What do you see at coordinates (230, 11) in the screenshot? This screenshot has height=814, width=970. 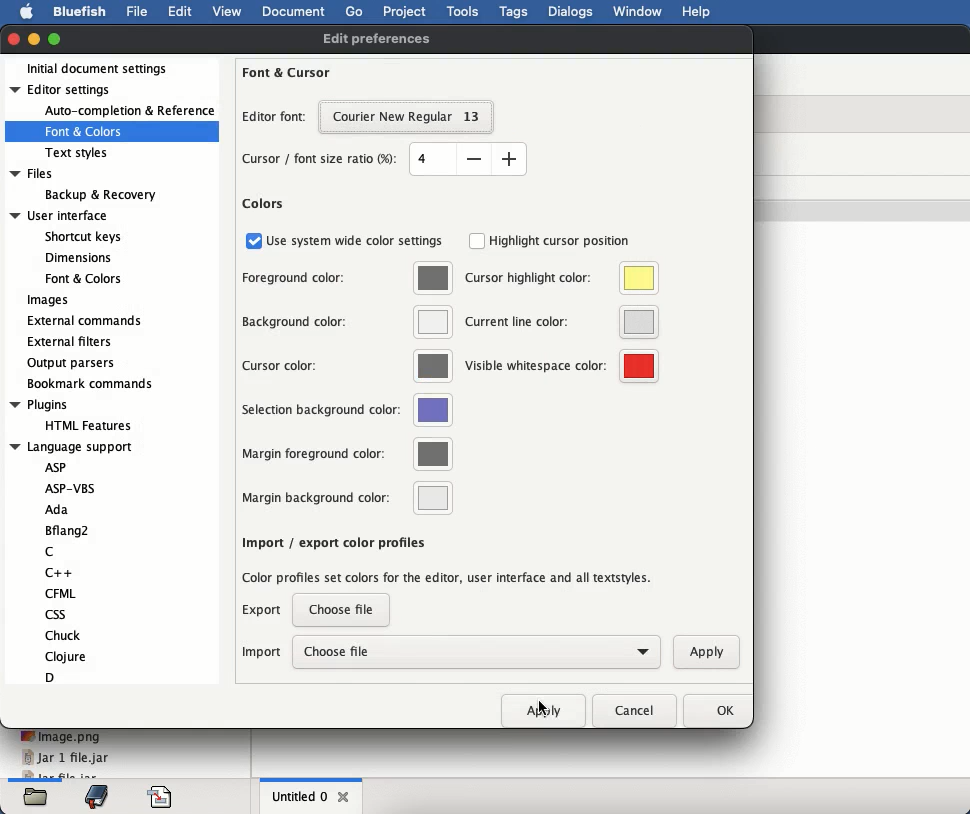 I see `view` at bounding box center [230, 11].